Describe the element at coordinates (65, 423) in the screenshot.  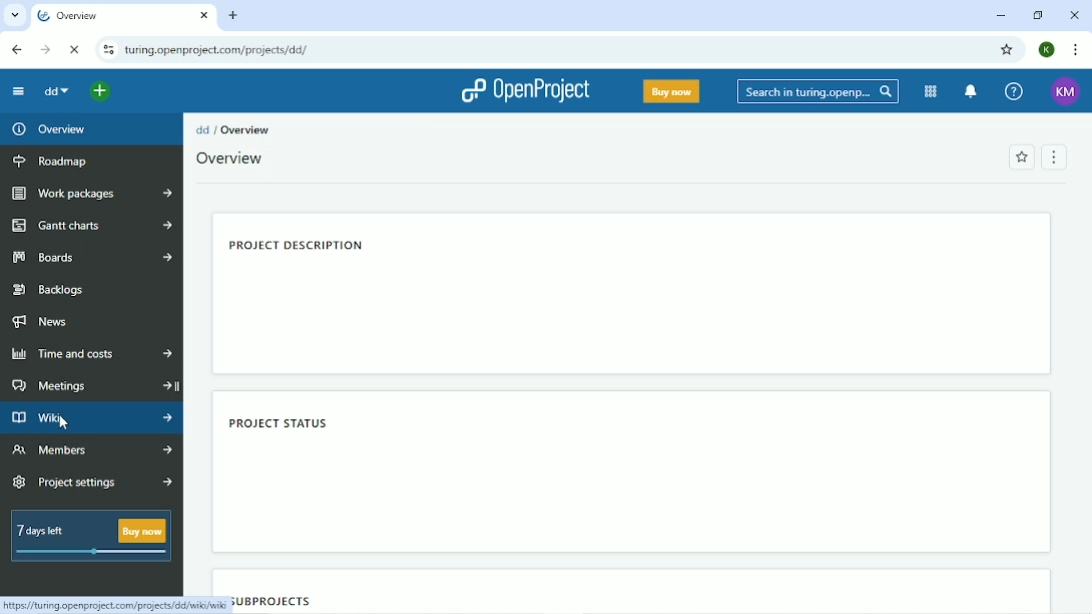
I see `cursor` at that location.